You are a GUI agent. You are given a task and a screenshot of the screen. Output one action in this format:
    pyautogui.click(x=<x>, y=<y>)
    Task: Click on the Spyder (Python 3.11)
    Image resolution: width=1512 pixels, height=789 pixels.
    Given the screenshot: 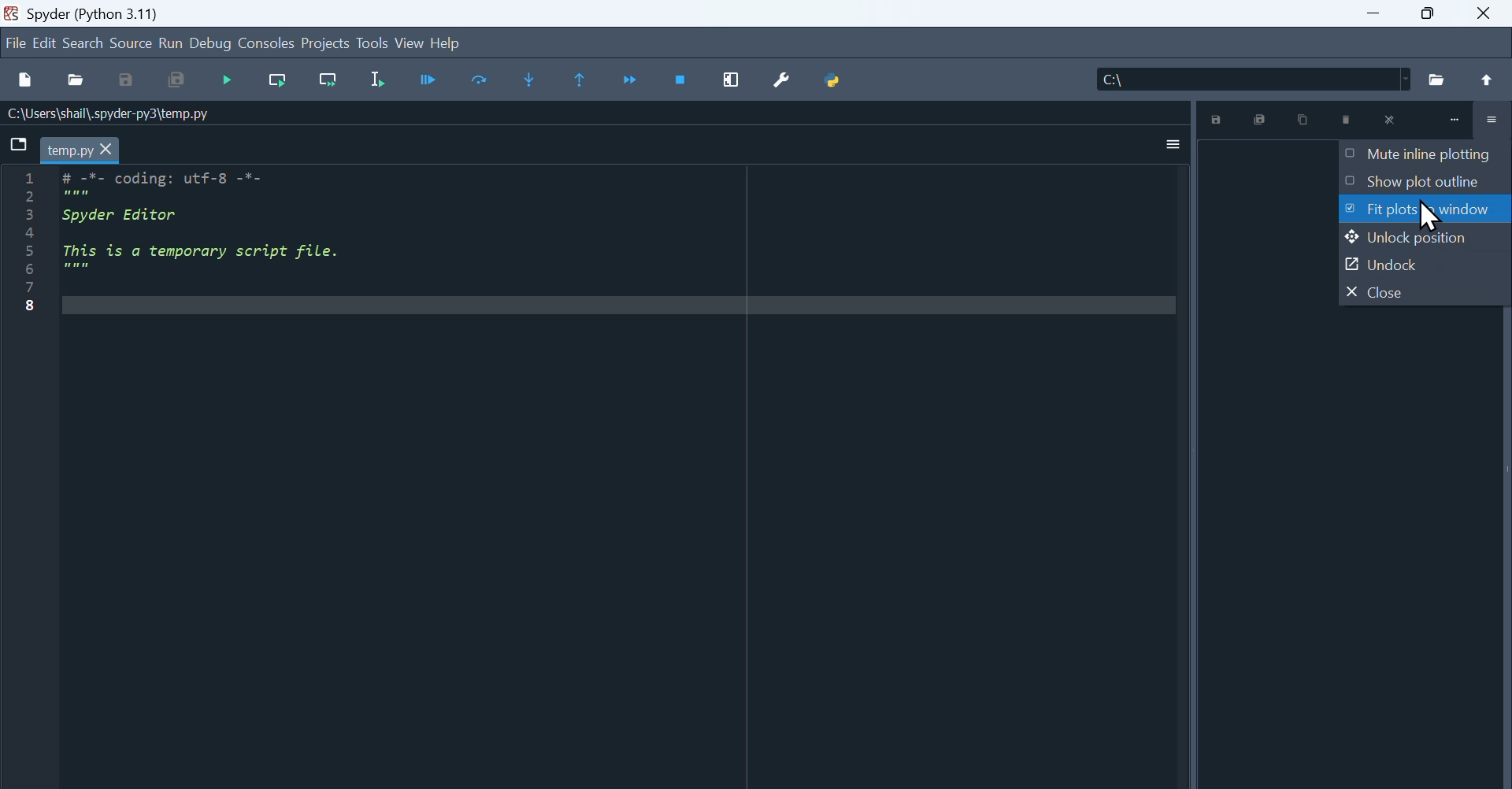 What is the action you would take?
    pyautogui.click(x=94, y=14)
    